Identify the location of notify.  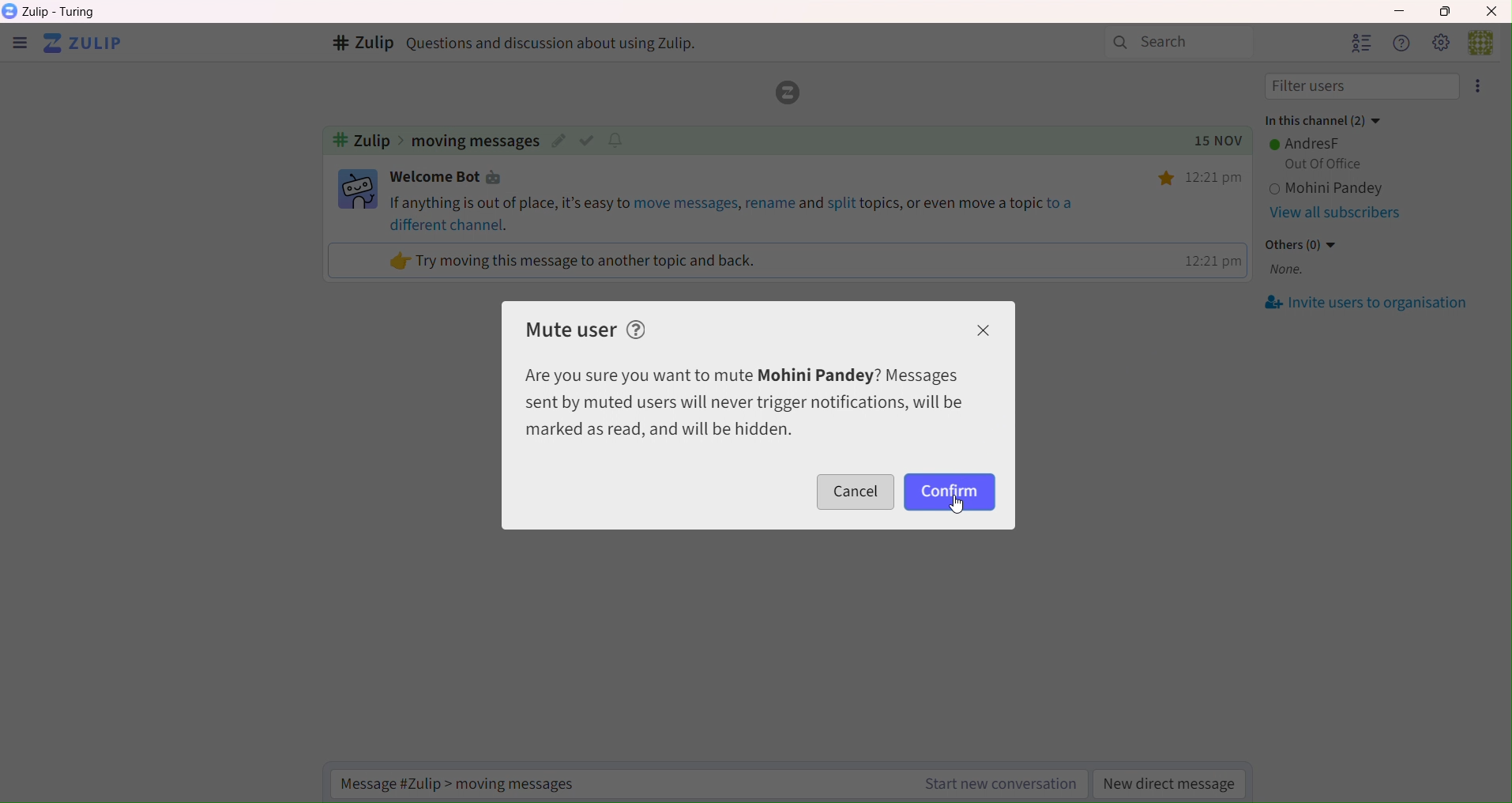
(619, 139).